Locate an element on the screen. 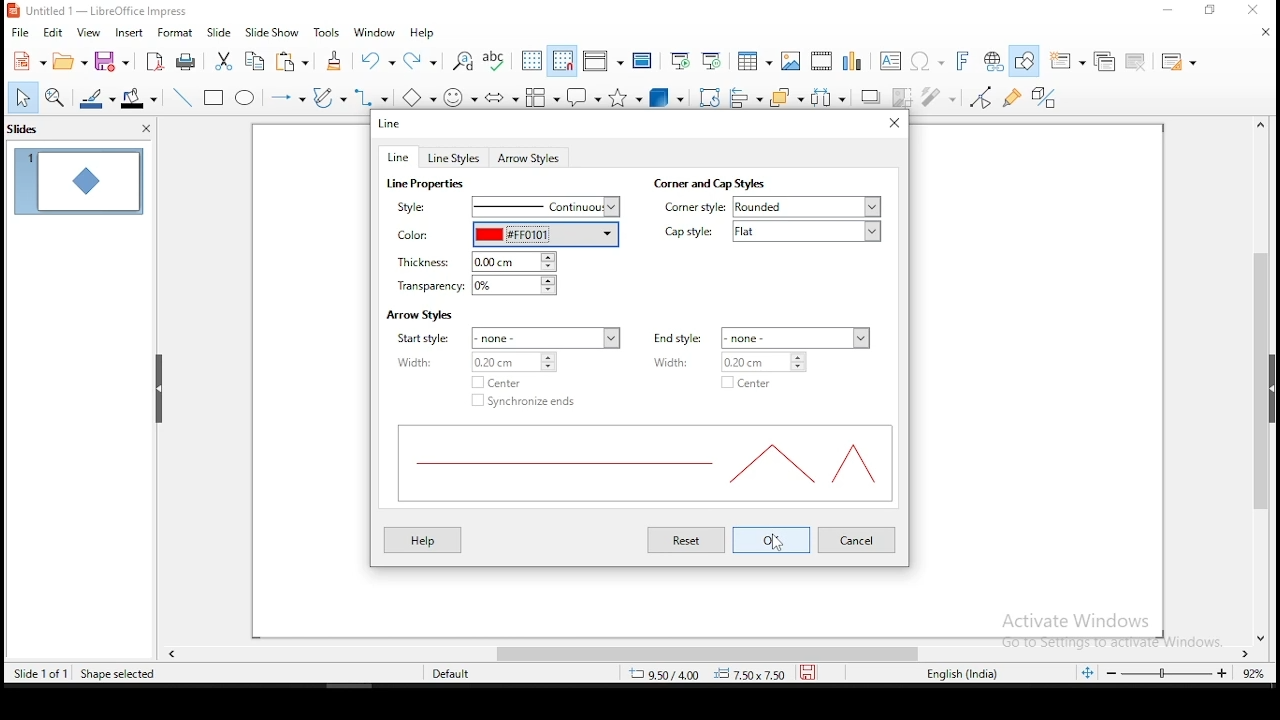 The height and width of the screenshot is (720, 1280). window is located at coordinates (375, 31).